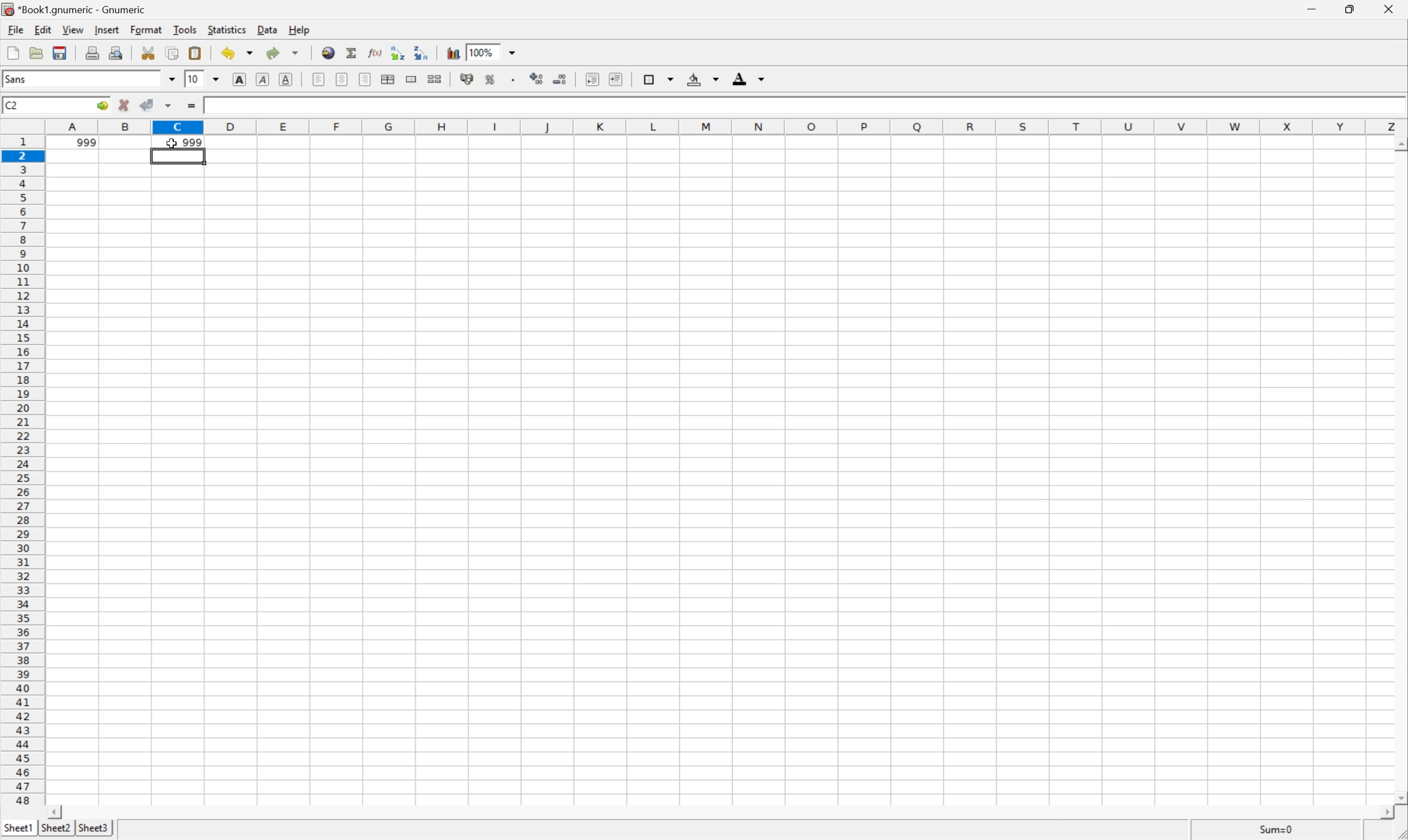 This screenshot has width=1408, height=840. What do you see at coordinates (318, 80) in the screenshot?
I see `Align left` at bounding box center [318, 80].